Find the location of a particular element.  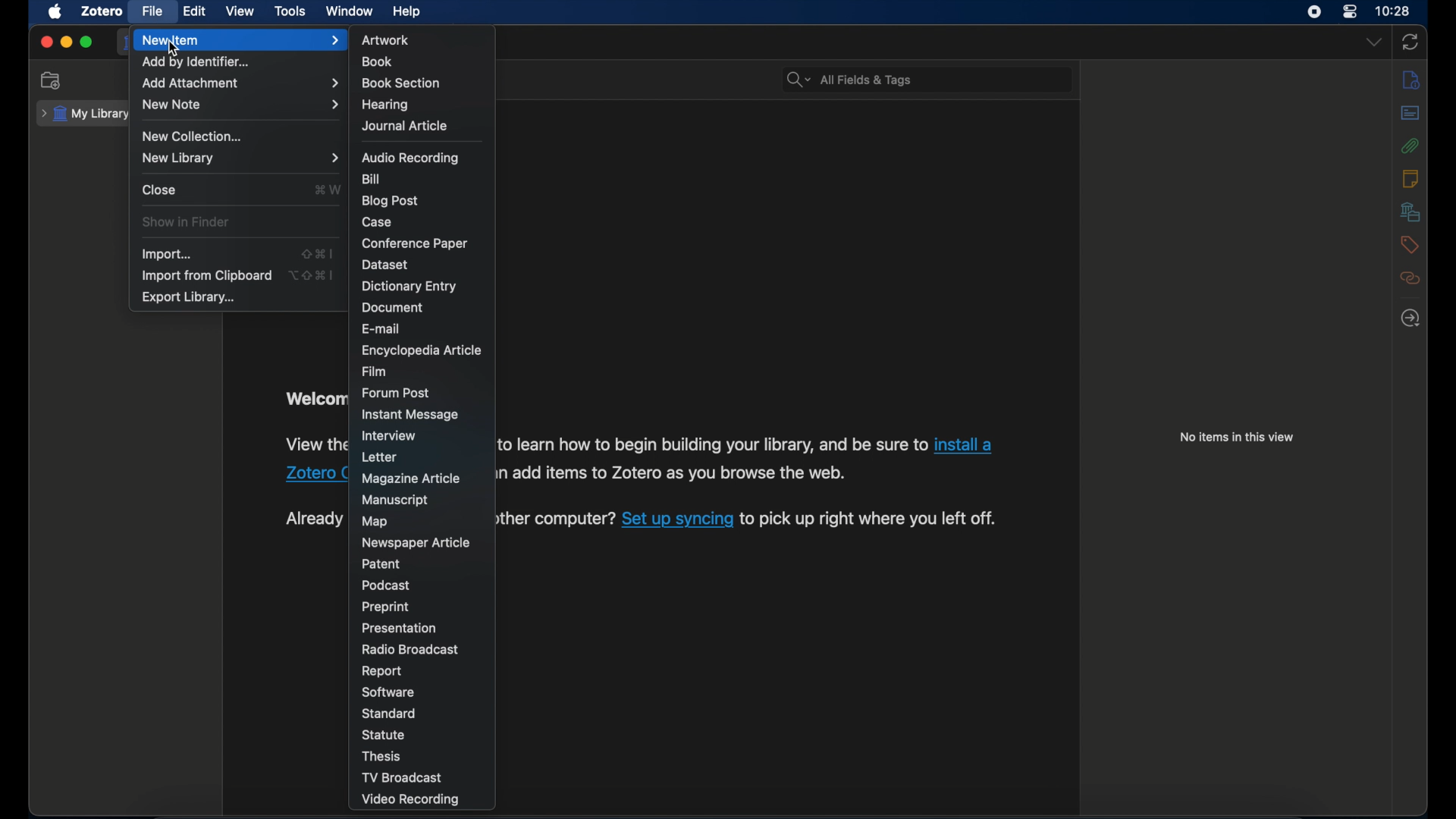

artwork is located at coordinates (385, 40).